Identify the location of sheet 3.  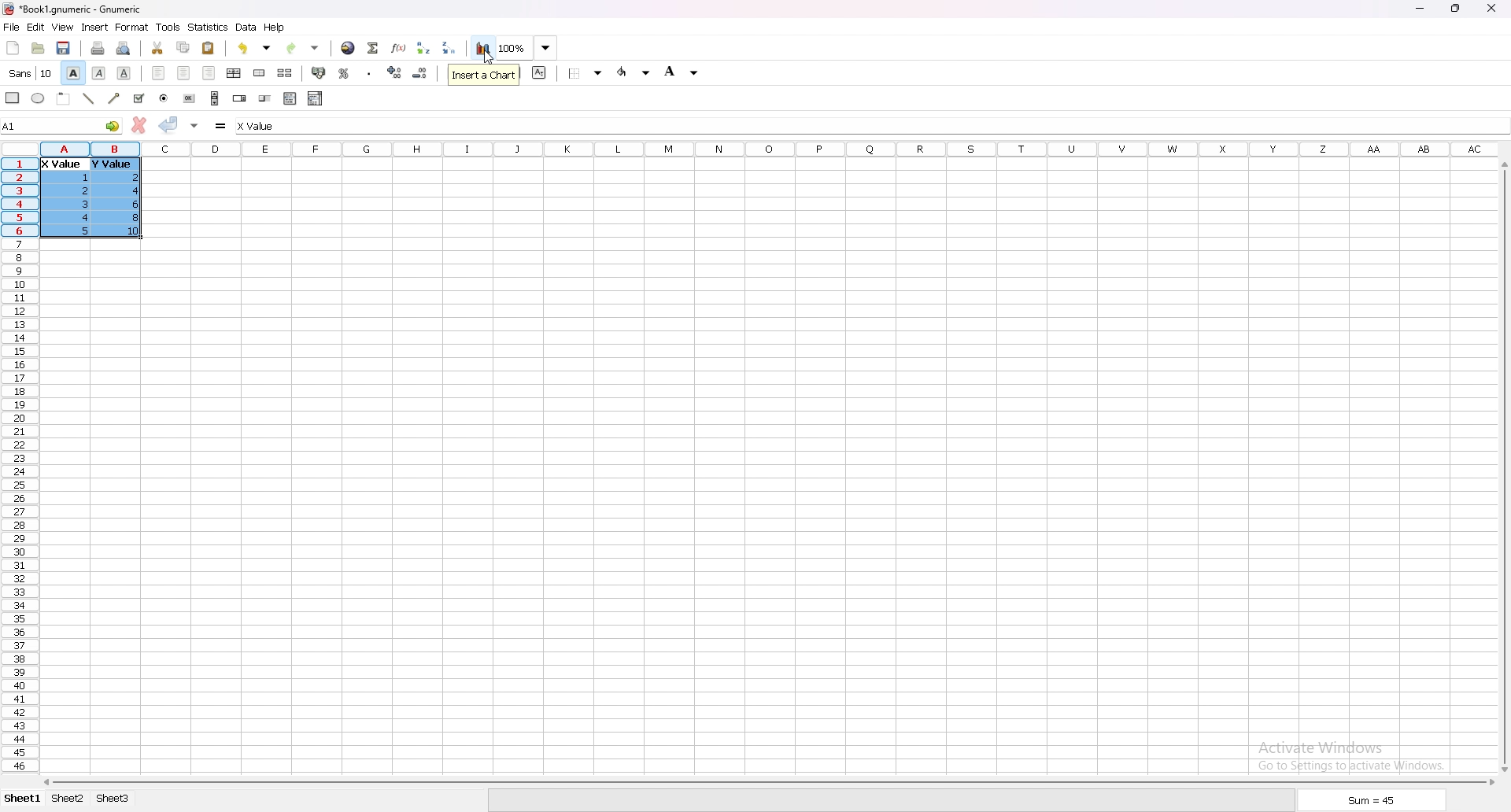
(113, 799).